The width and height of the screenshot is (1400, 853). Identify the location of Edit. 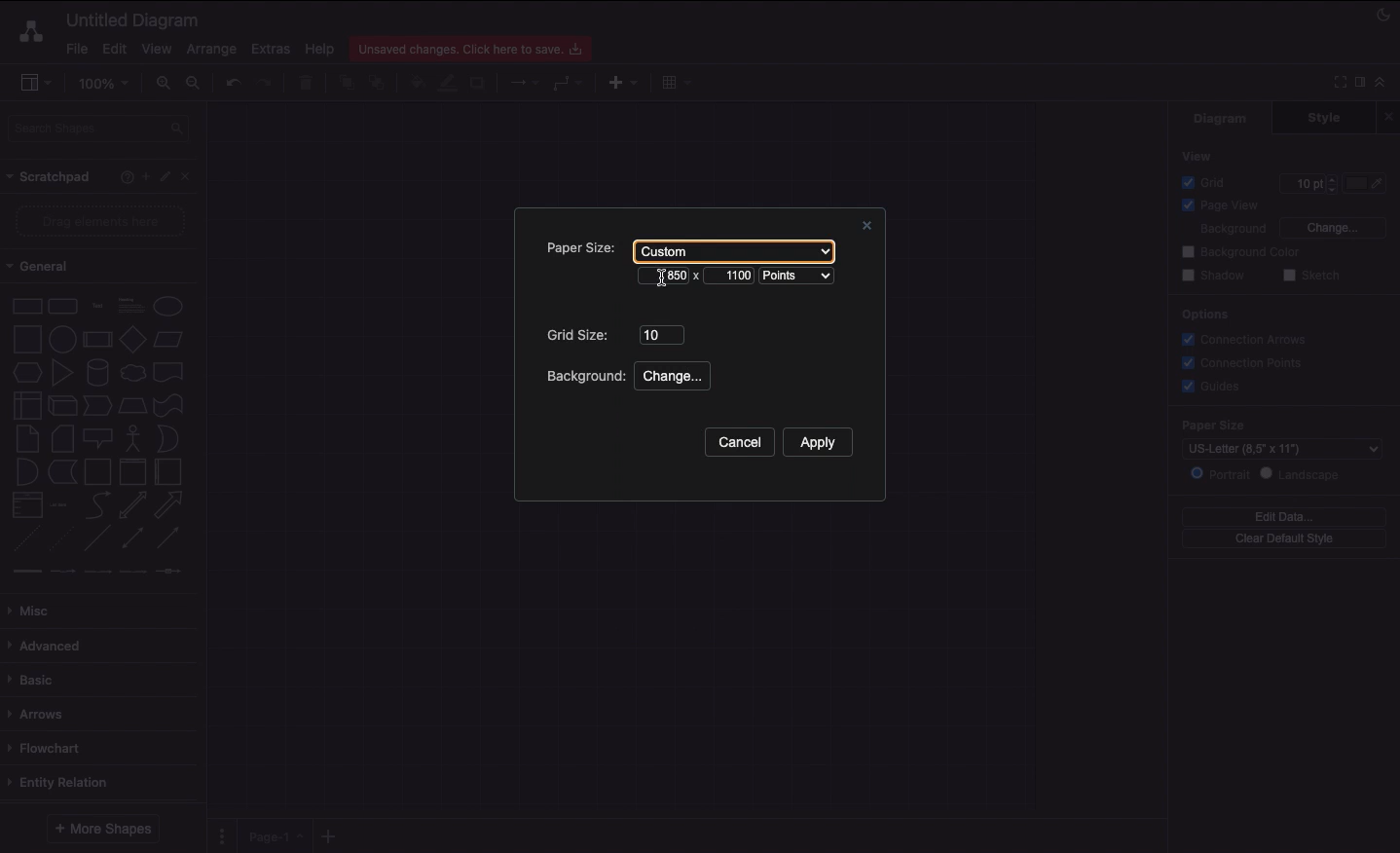
(167, 177).